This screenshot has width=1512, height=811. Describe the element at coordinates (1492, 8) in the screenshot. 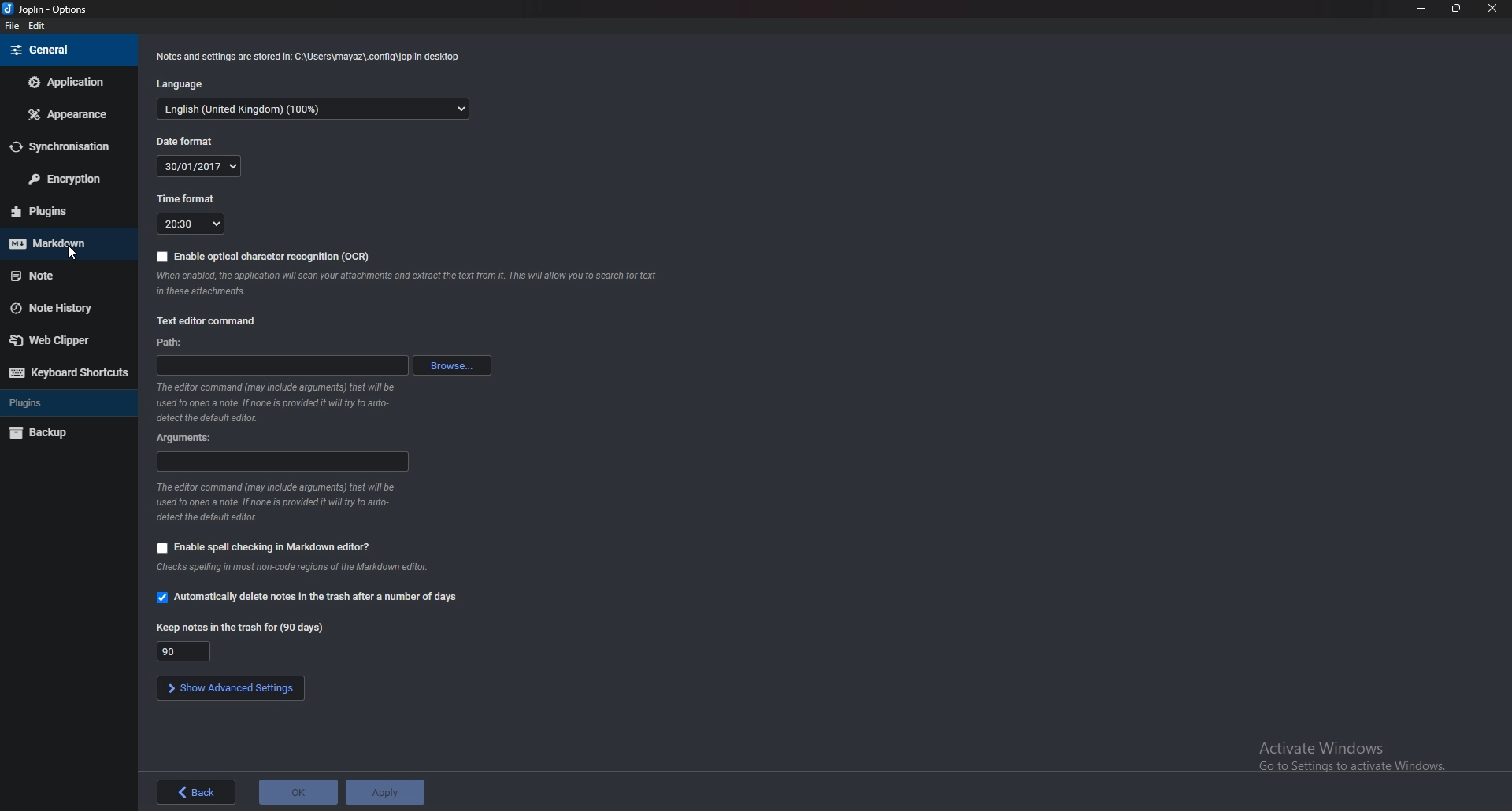

I see `close` at that location.